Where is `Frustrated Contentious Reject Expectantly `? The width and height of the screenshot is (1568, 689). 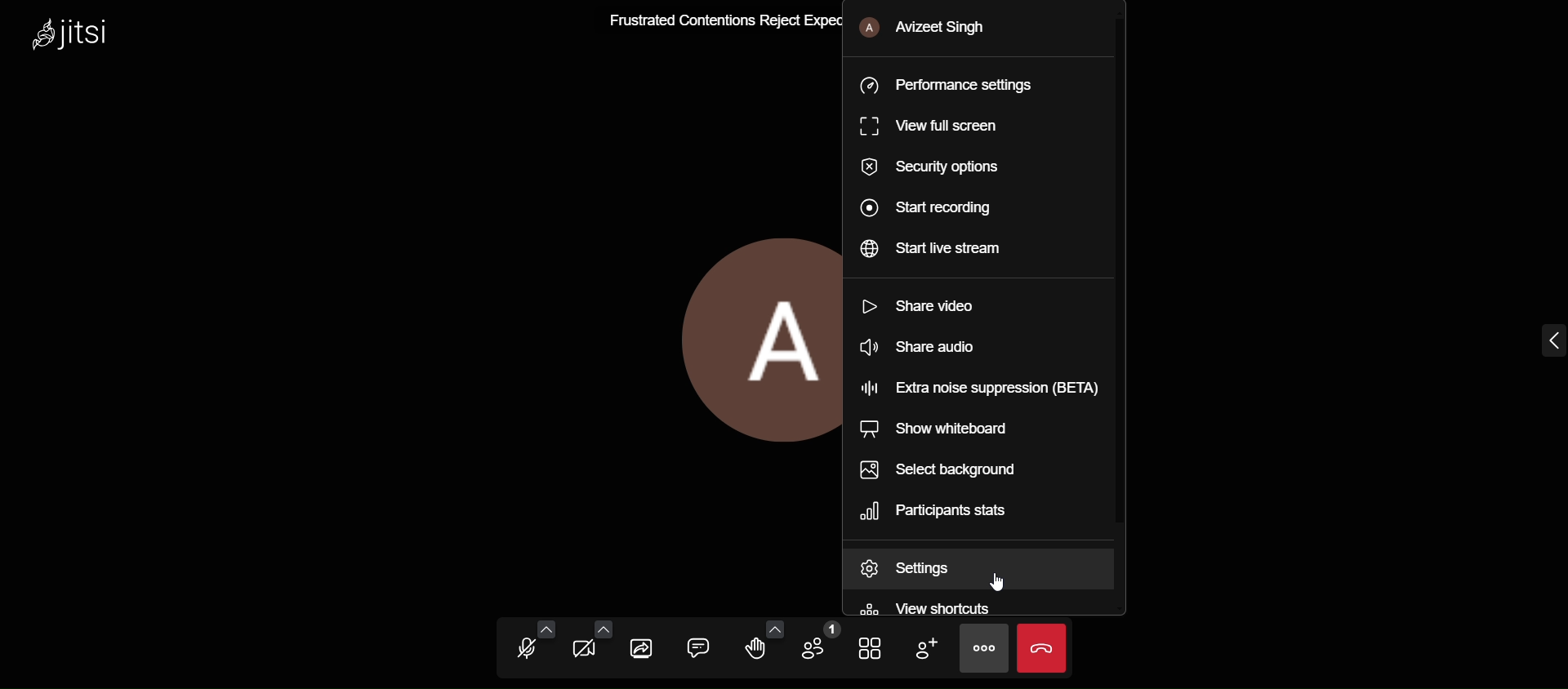 Frustrated Contentious Reject Expectantly  is located at coordinates (726, 24).